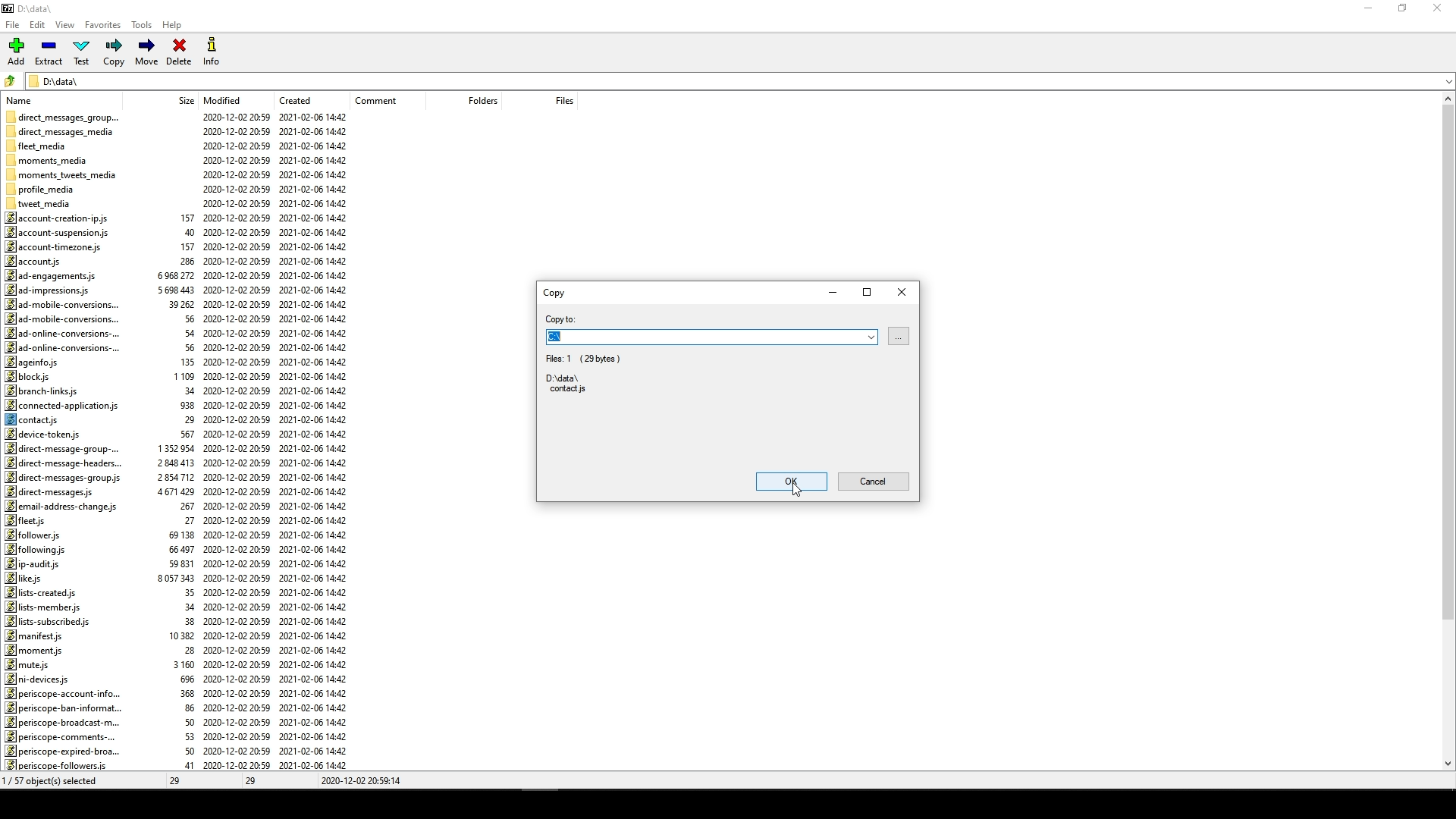 The image size is (1456, 819). I want to click on account.js, so click(38, 260).